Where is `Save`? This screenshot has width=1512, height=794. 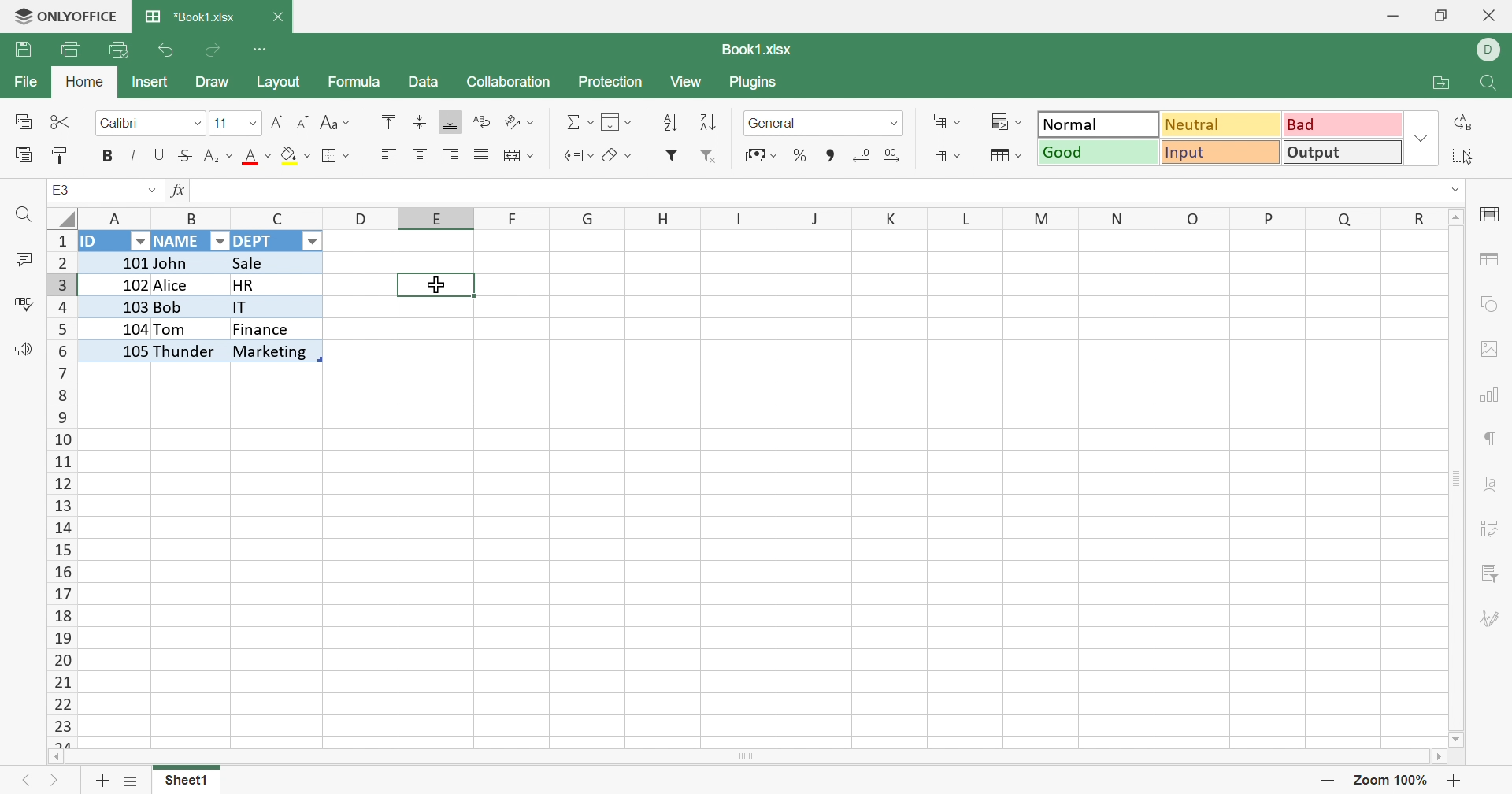 Save is located at coordinates (23, 50).